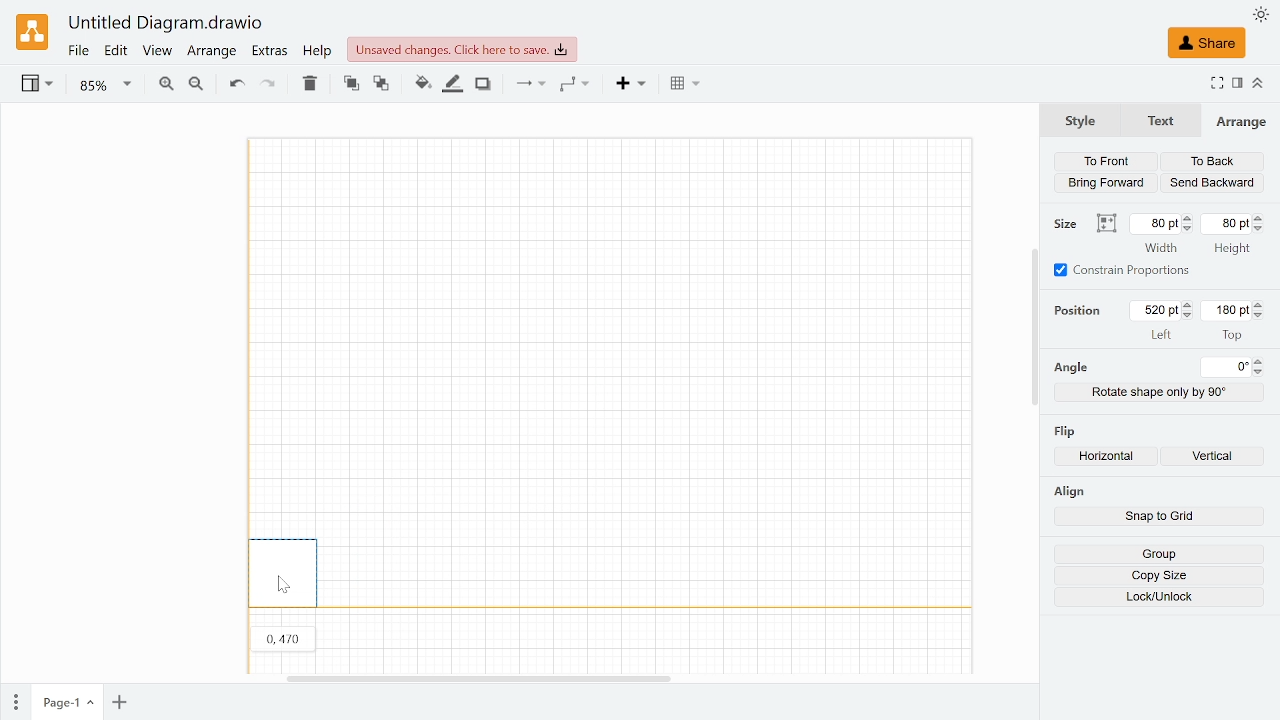  Describe the element at coordinates (633, 85) in the screenshot. I see `Insert` at that location.